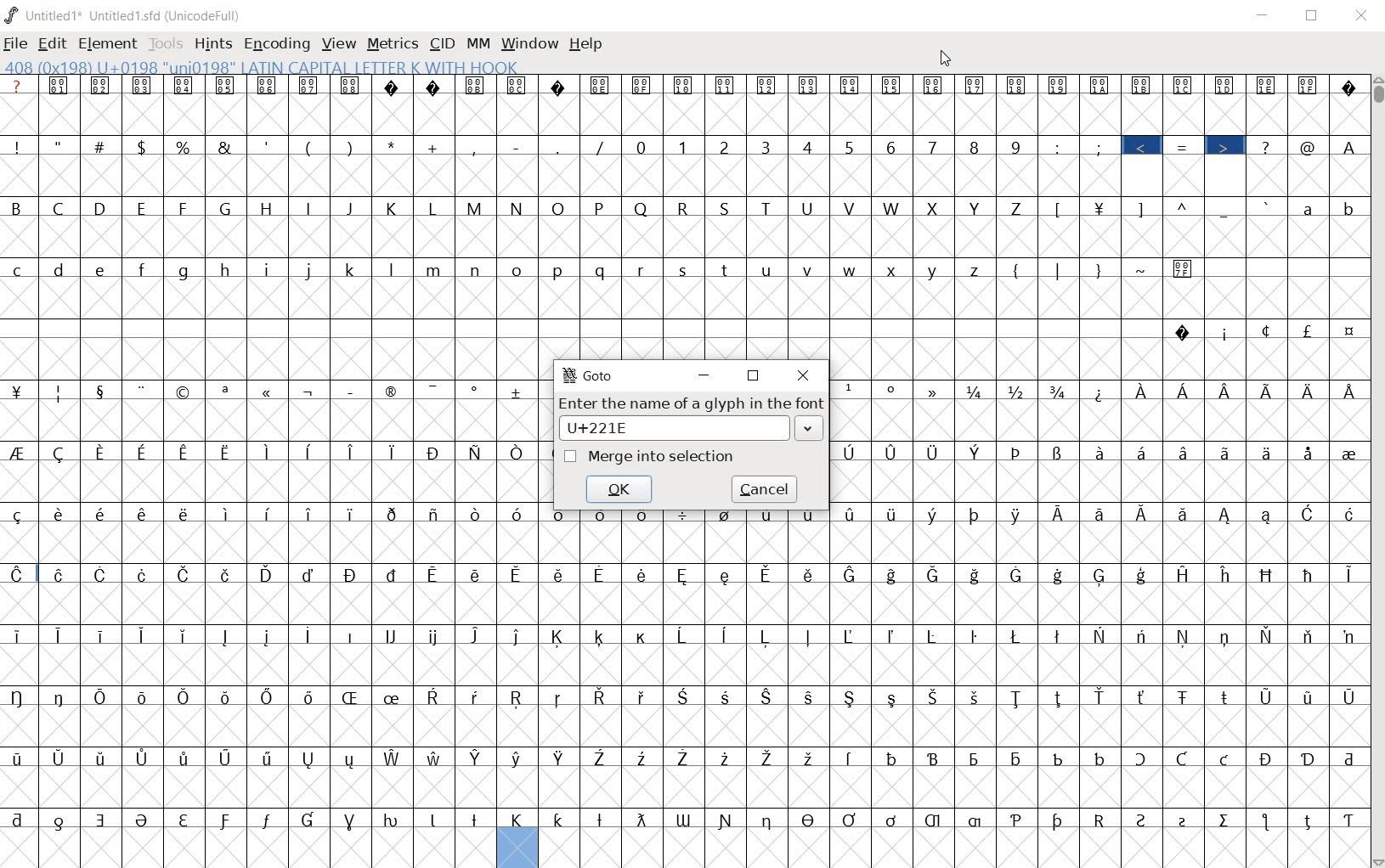 This screenshot has height=868, width=1385. What do you see at coordinates (213, 42) in the screenshot?
I see `hints` at bounding box center [213, 42].